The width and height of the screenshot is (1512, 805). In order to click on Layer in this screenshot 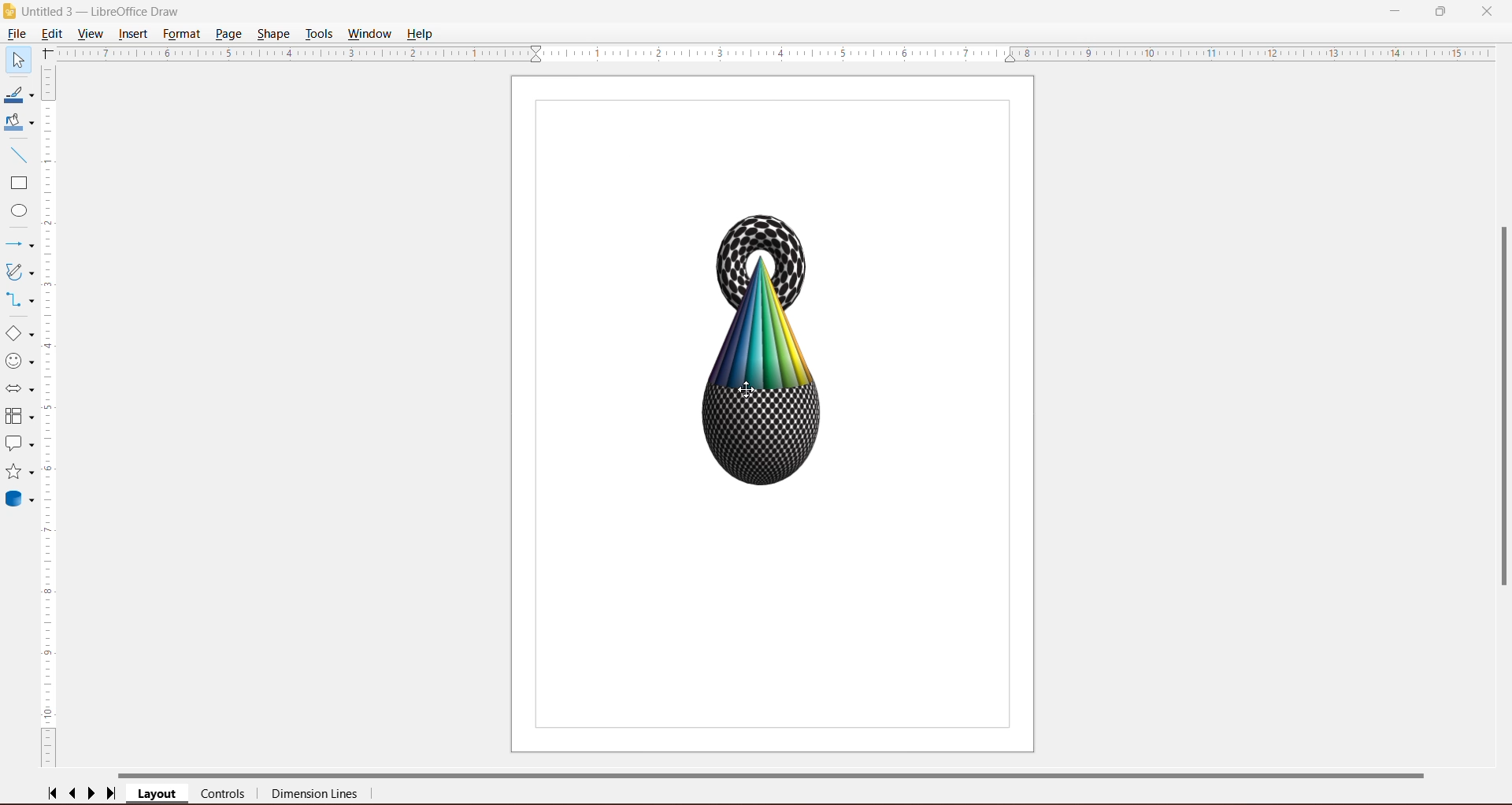, I will do `click(157, 794)`.